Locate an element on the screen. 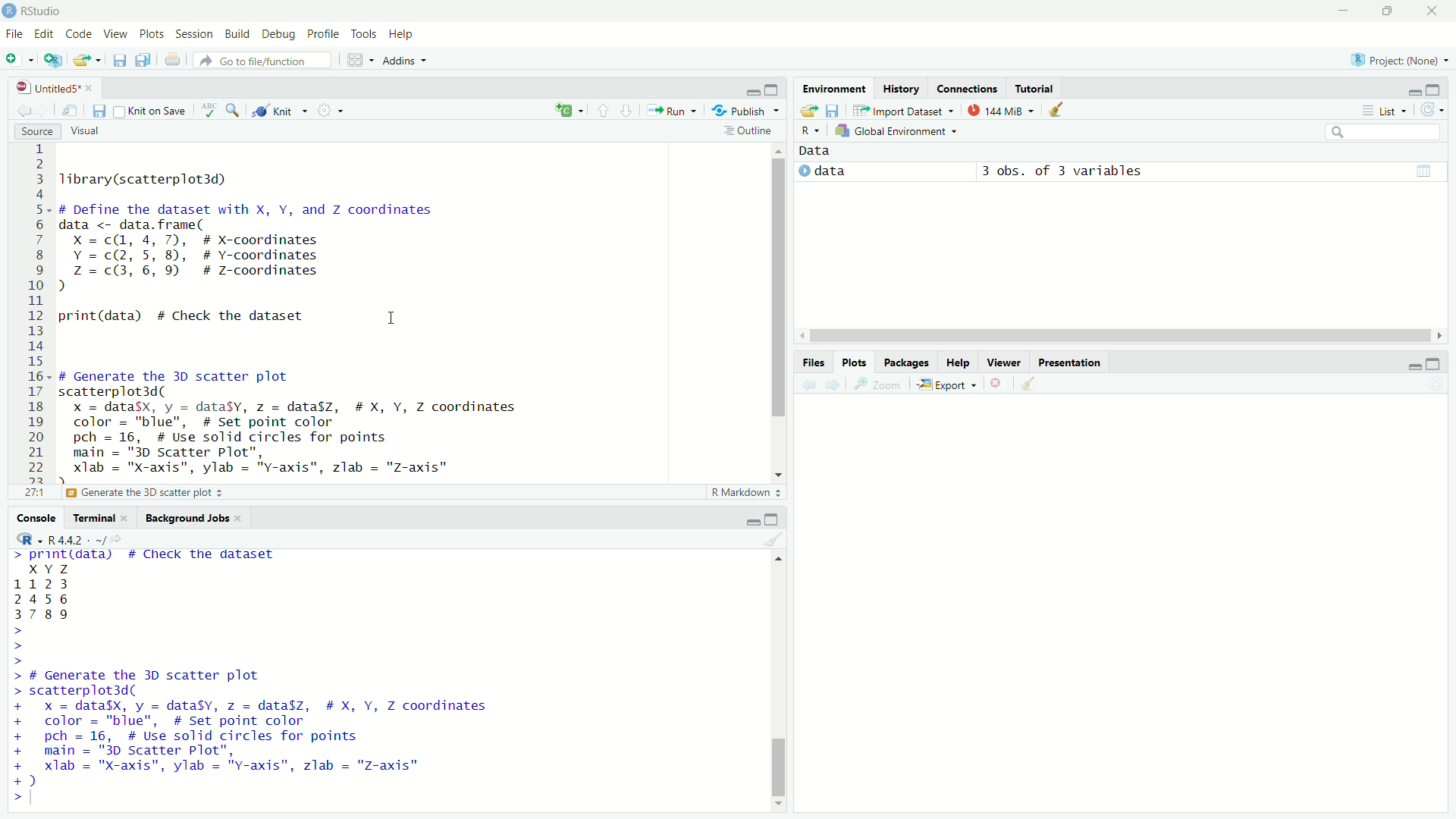 Image resolution: width=1456 pixels, height=819 pixels. move up is located at coordinates (773, 558).